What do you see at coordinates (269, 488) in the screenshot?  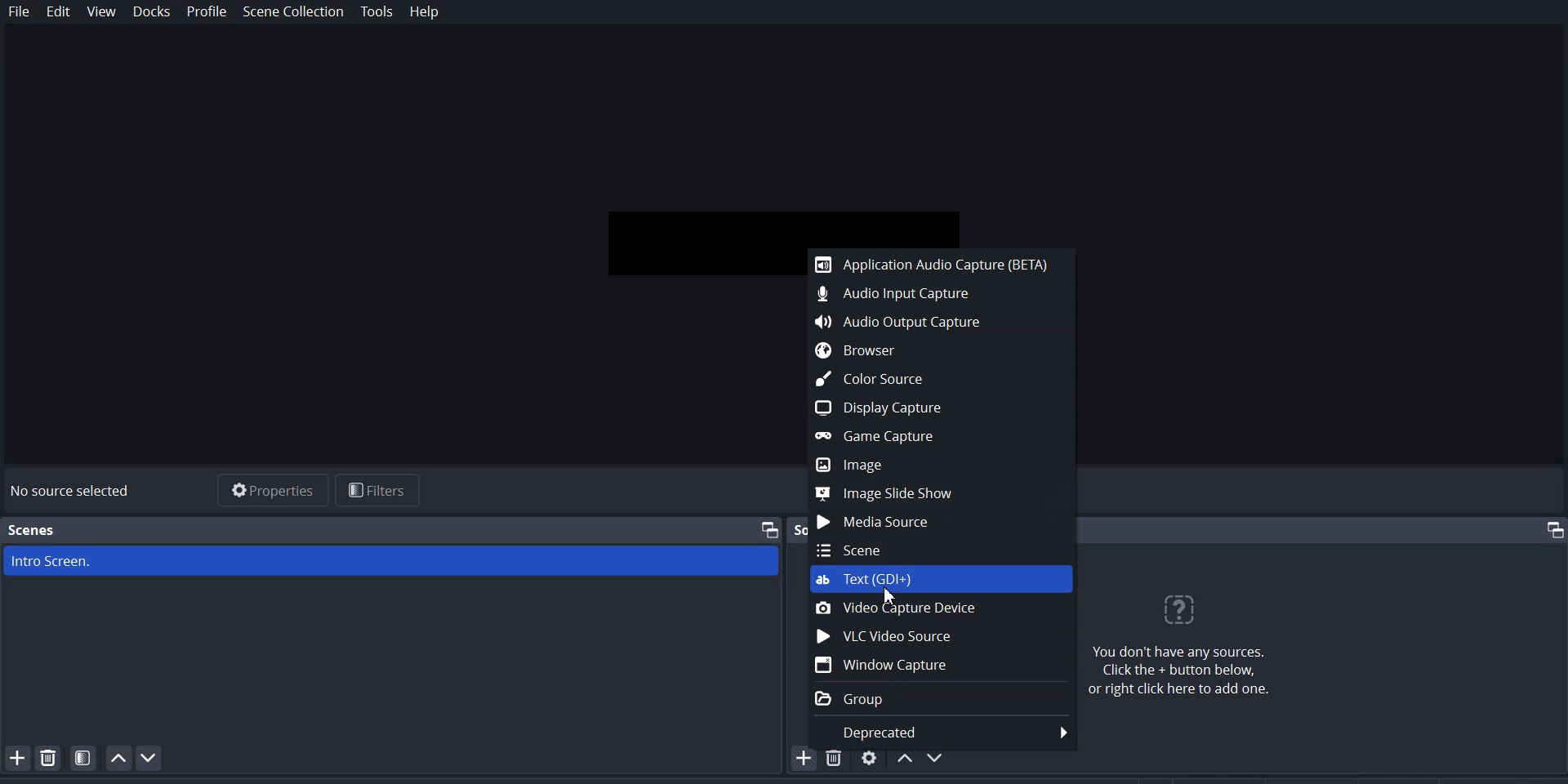 I see `Properties` at bounding box center [269, 488].